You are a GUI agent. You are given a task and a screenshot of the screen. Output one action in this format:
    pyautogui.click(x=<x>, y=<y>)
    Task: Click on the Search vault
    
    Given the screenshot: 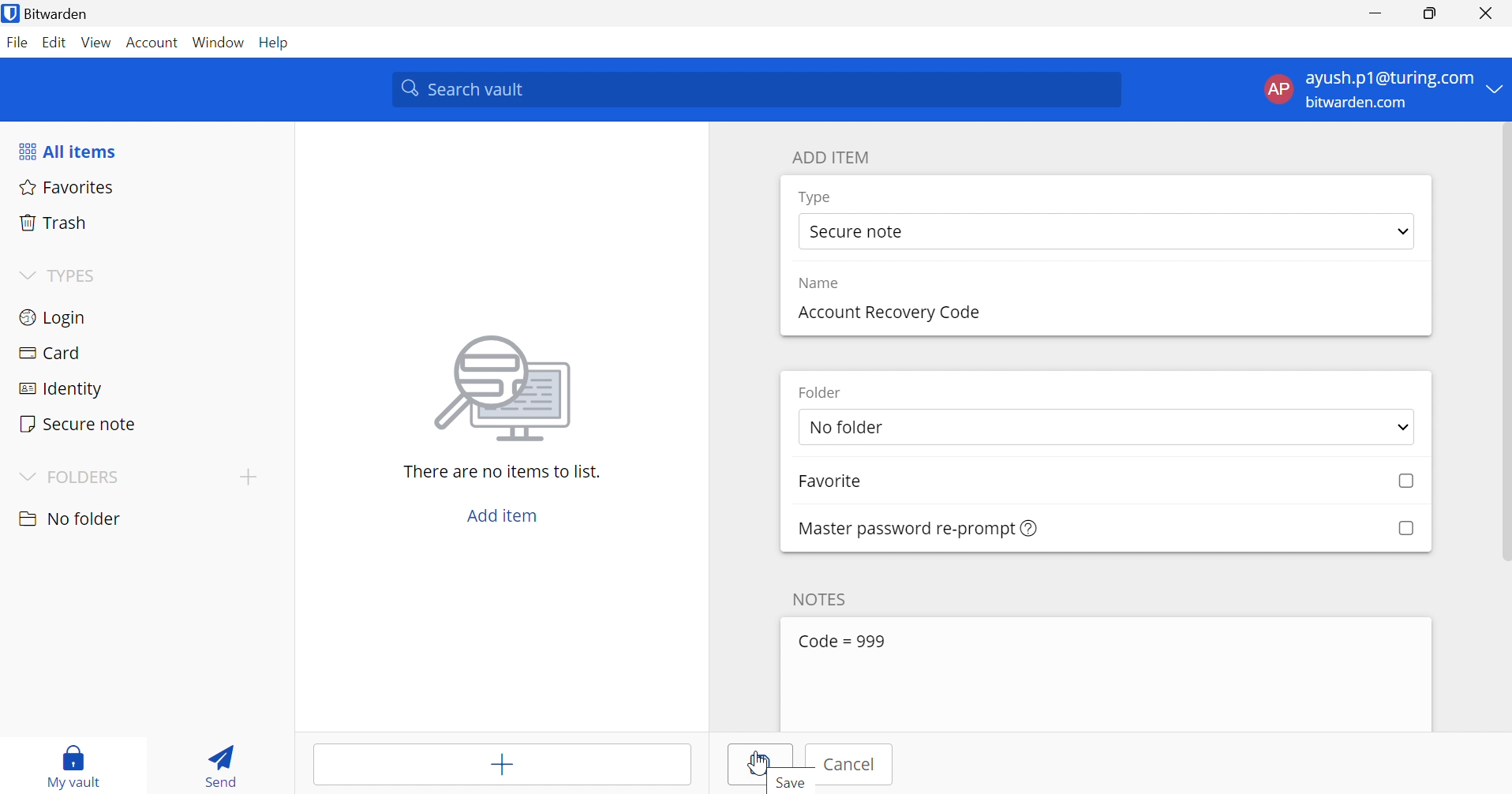 What is the action you would take?
    pyautogui.click(x=758, y=90)
    